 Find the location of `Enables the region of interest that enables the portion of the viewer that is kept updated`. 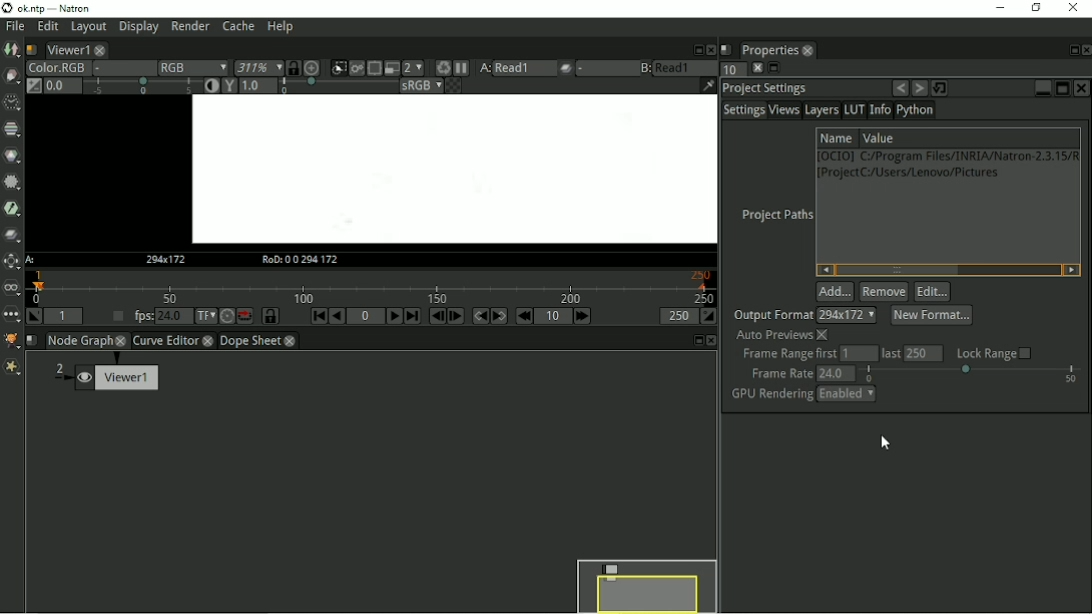

Enables the region of interest that enables the portion of the viewer that is kept updated is located at coordinates (375, 69).